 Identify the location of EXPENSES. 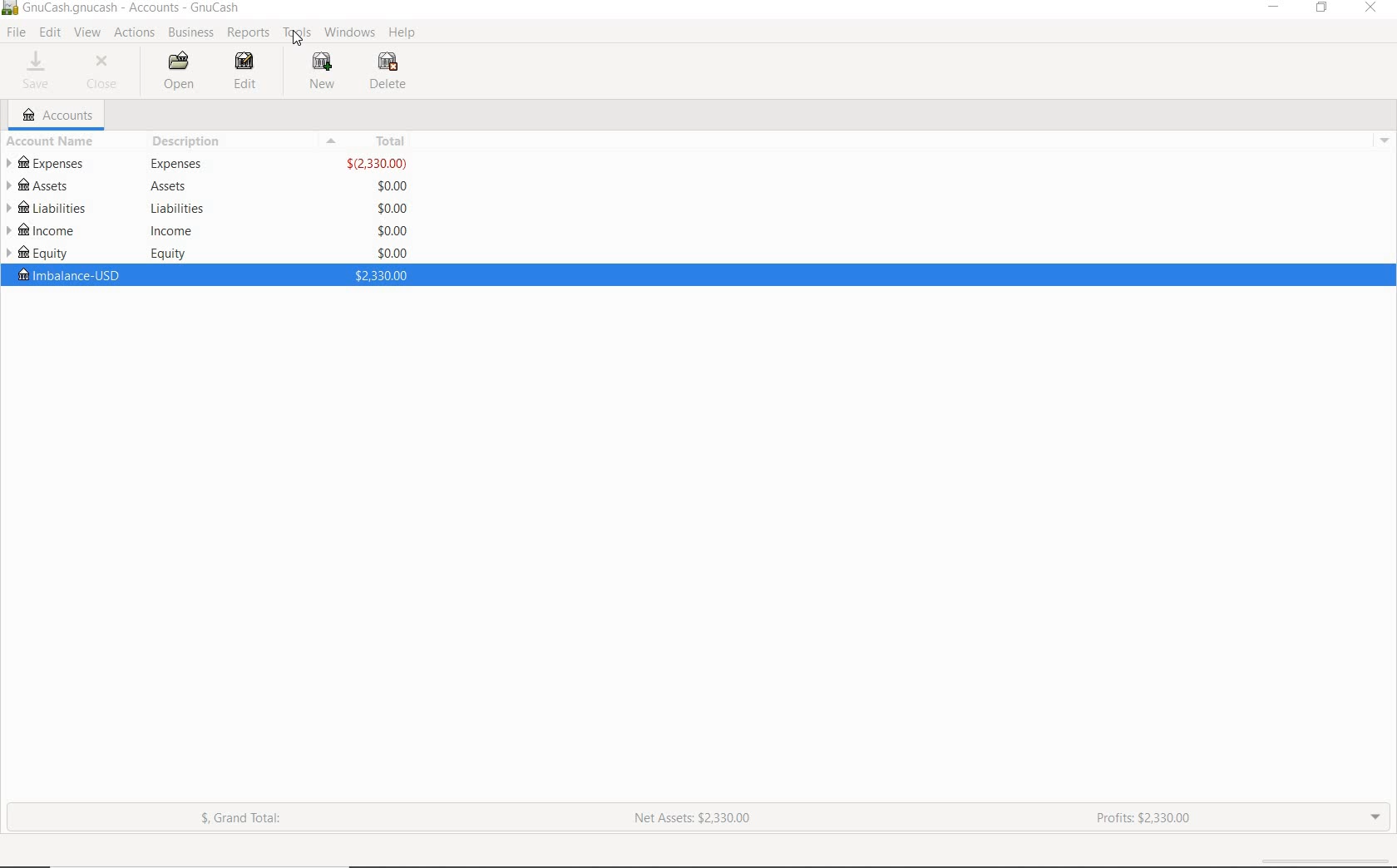
(205, 165).